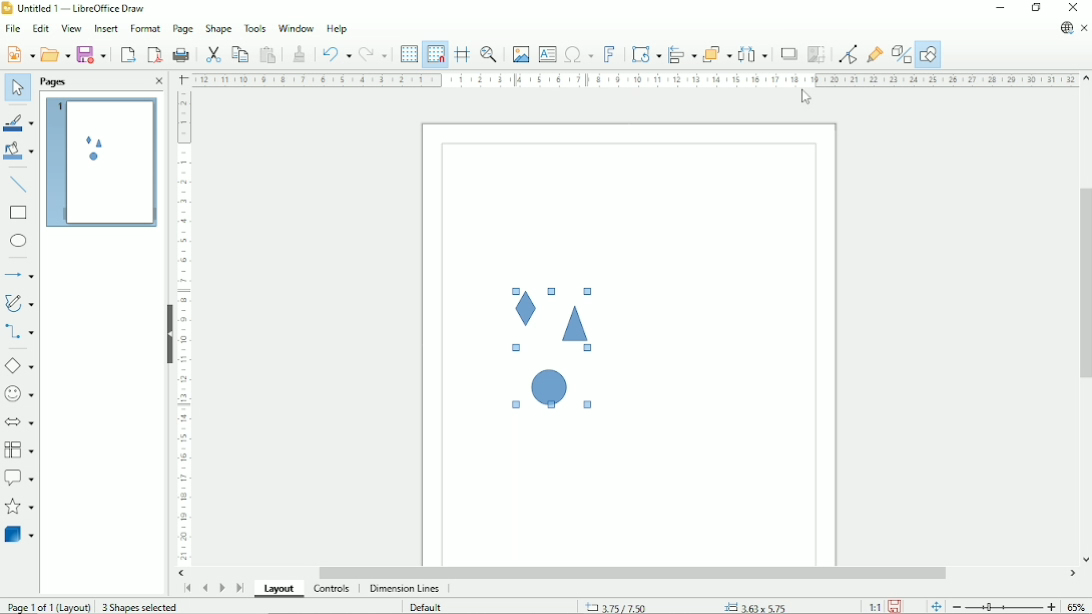  What do you see at coordinates (928, 55) in the screenshot?
I see `Show draw functions` at bounding box center [928, 55].